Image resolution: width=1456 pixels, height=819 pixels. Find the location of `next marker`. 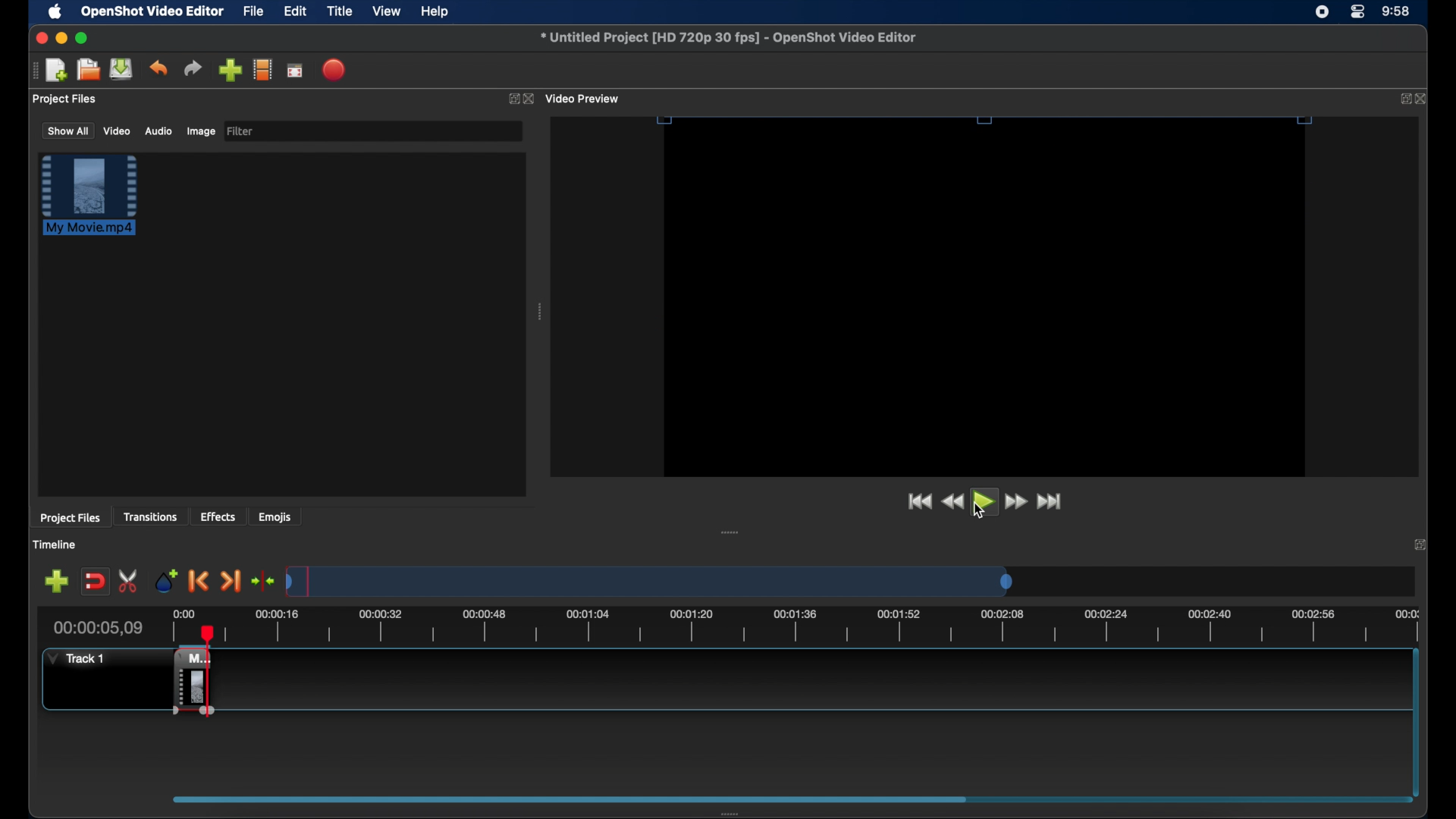

next marker is located at coordinates (231, 582).